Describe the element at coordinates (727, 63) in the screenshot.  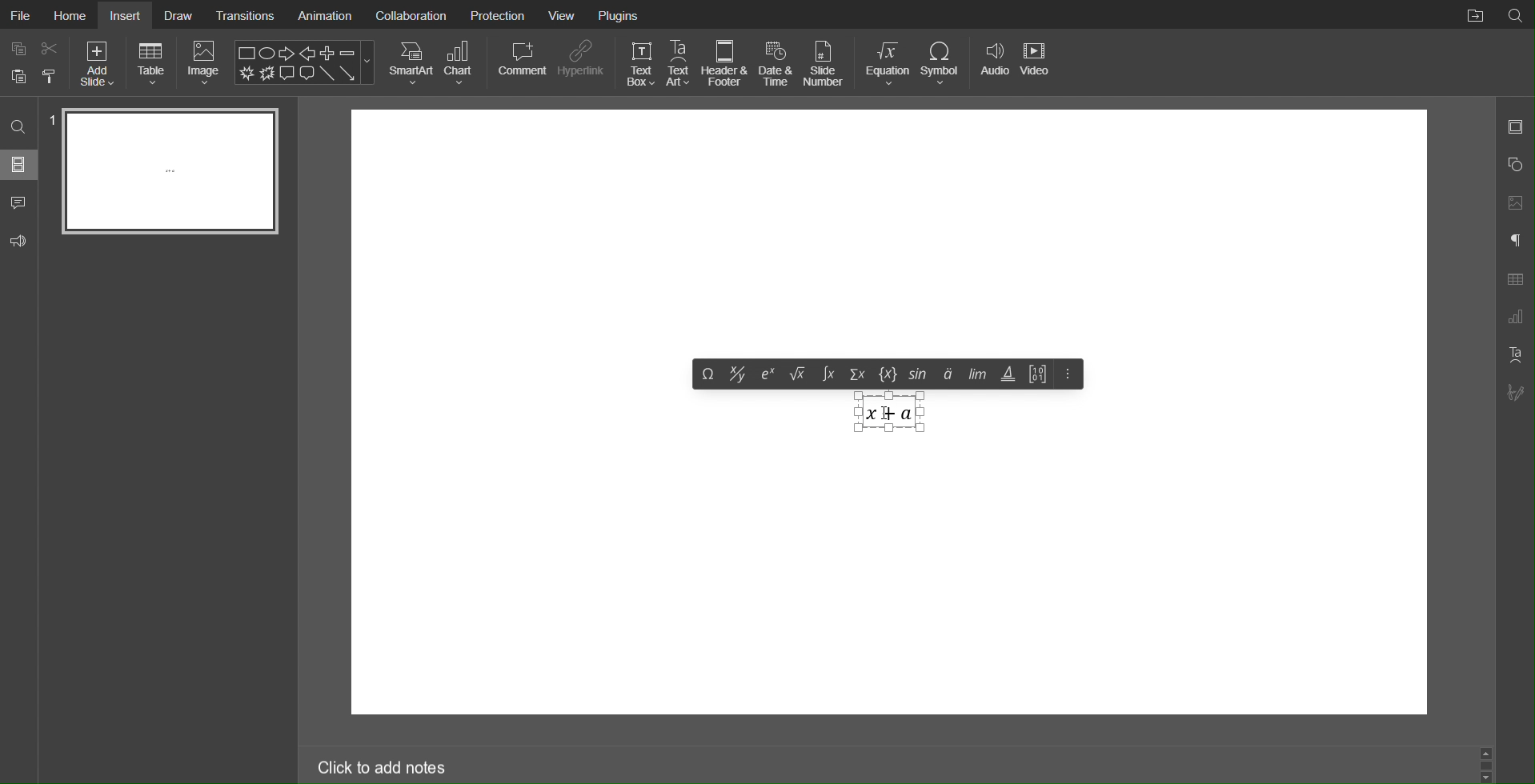
I see `Header & Footer` at that location.